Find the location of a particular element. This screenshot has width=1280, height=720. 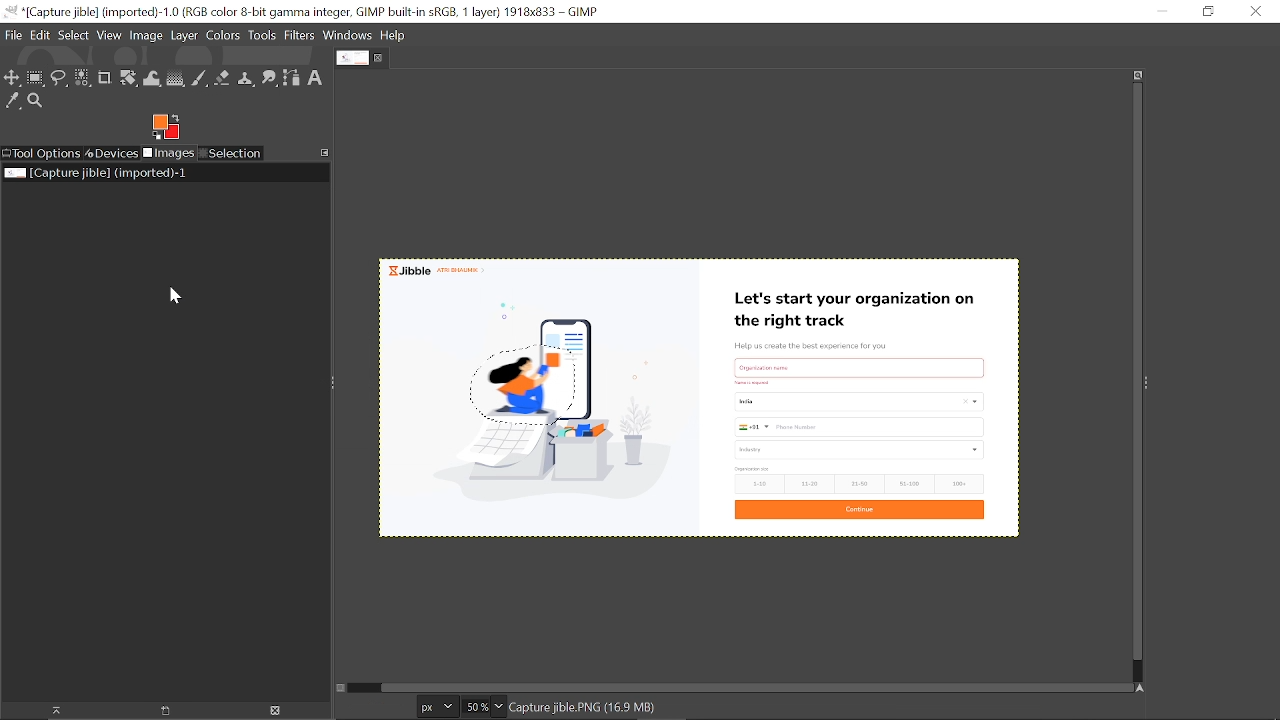

Horizontal scrollbar is located at coordinates (745, 684).